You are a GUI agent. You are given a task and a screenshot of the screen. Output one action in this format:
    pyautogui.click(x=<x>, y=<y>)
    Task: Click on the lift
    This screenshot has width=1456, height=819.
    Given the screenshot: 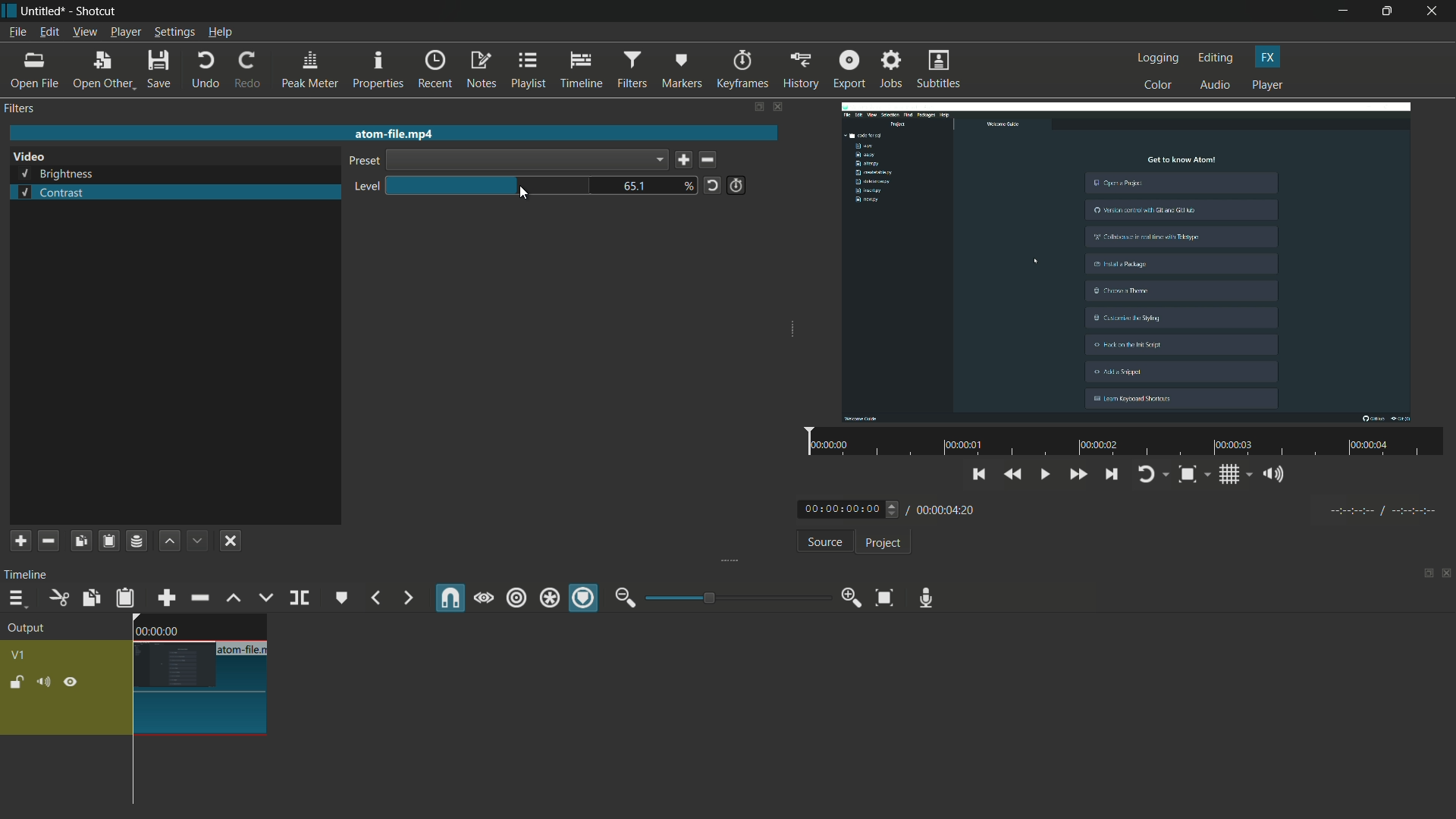 What is the action you would take?
    pyautogui.click(x=233, y=598)
    